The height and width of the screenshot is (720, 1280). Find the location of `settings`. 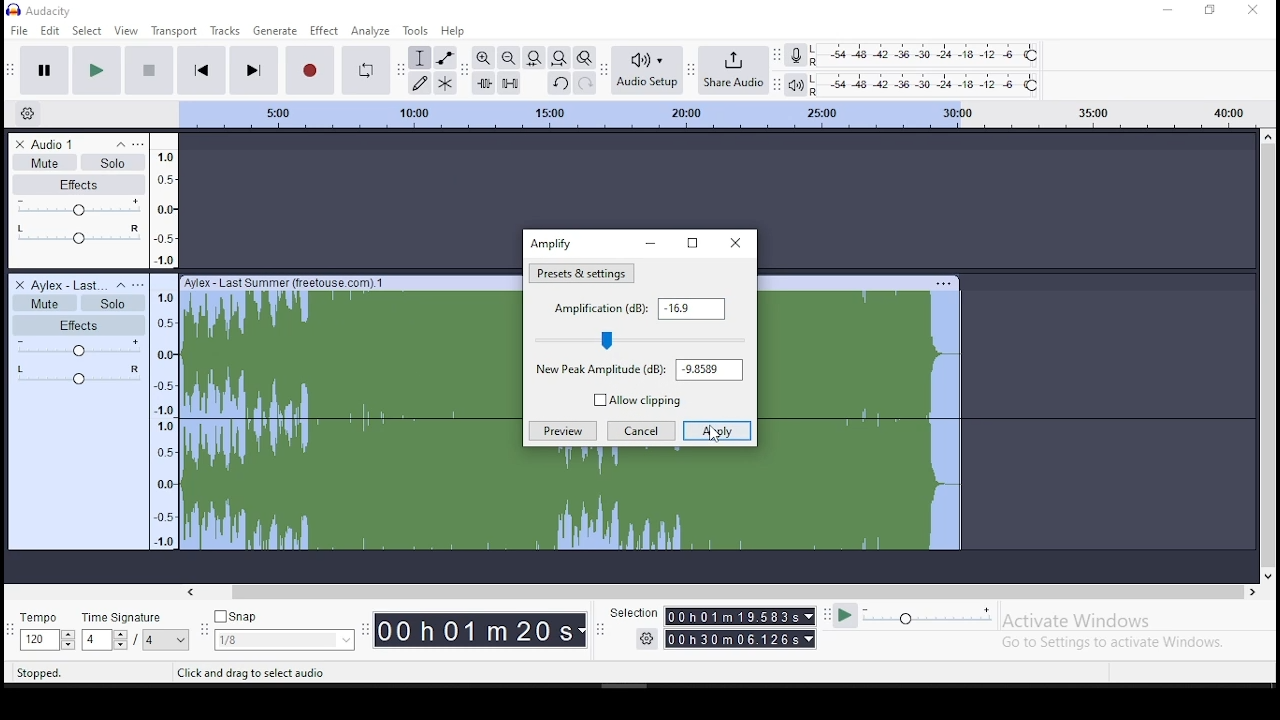

settings is located at coordinates (650, 641).